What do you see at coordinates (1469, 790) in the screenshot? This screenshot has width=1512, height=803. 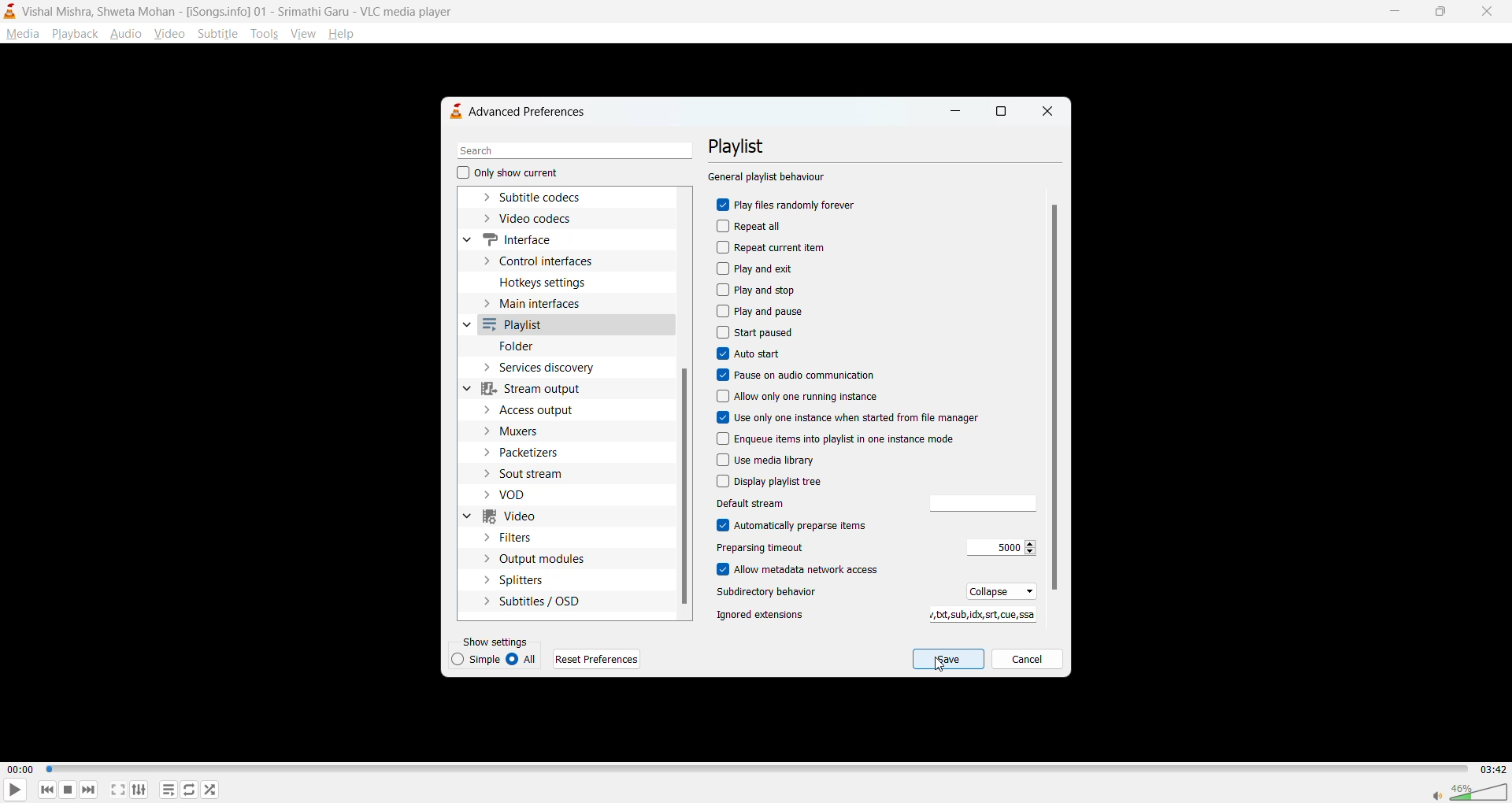 I see `volume` at bounding box center [1469, 790].